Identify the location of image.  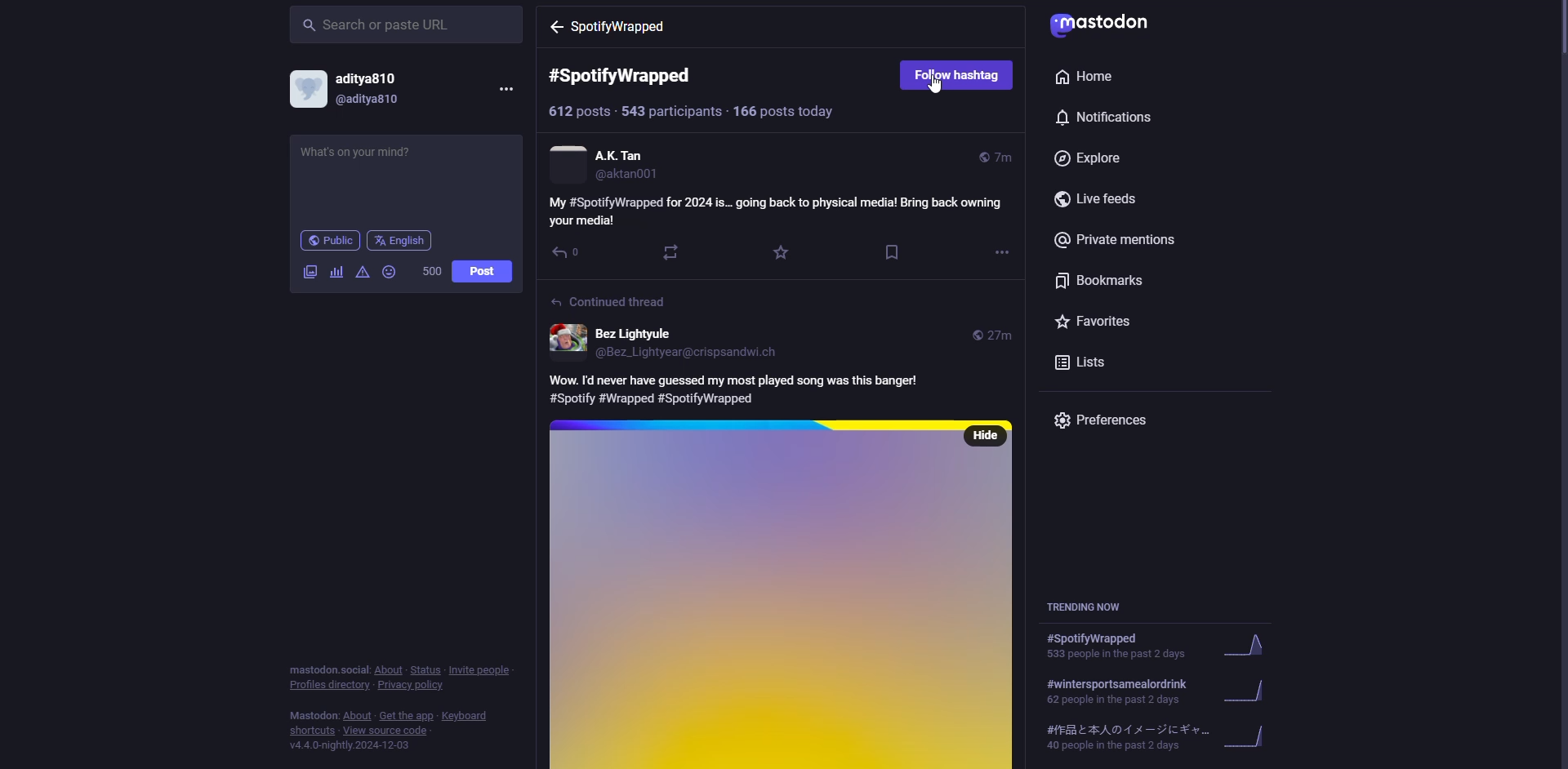
(311, 273).